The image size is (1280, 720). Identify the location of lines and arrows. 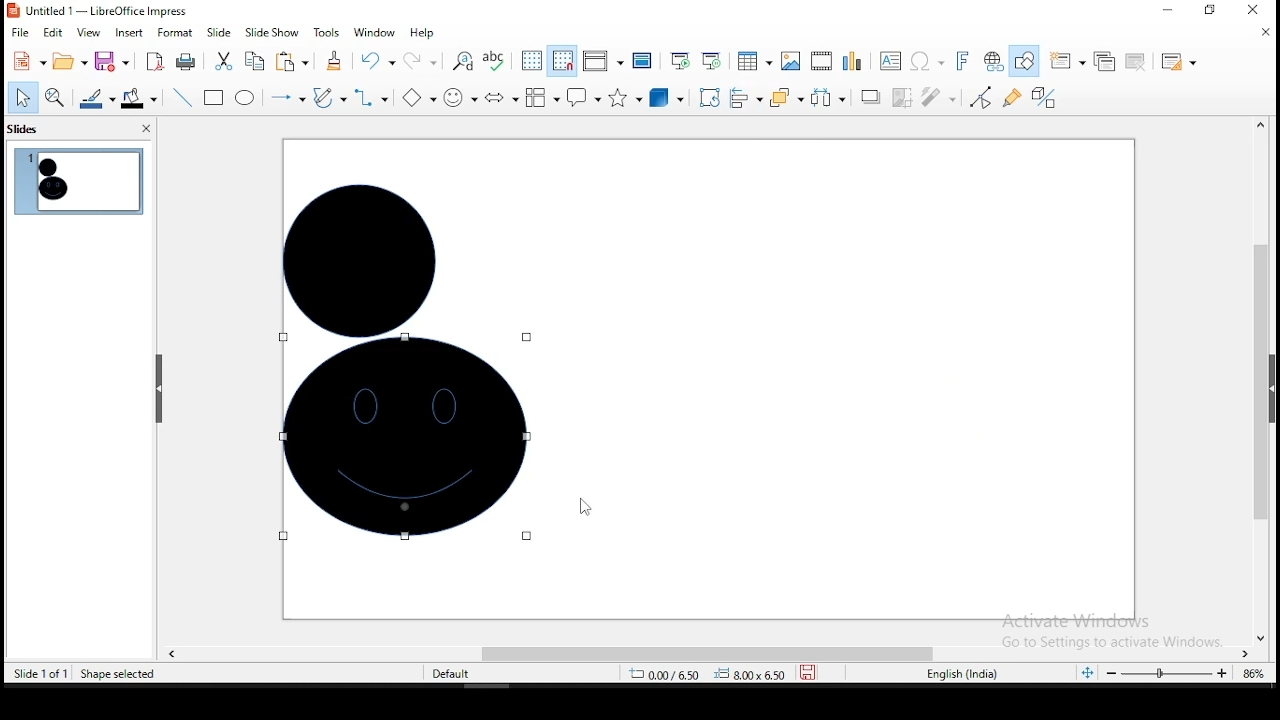
(286, 97).